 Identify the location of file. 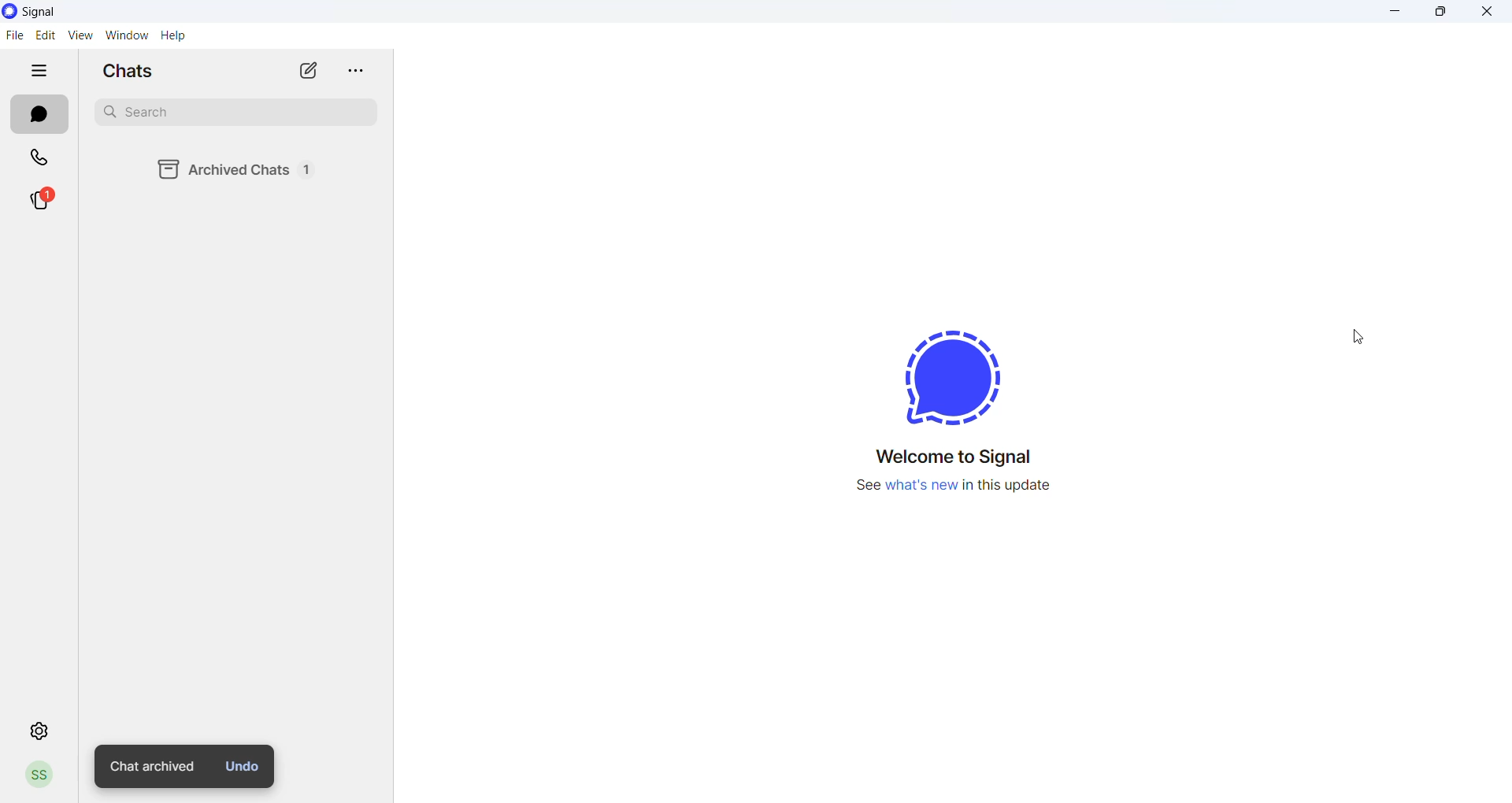
(17, 34).